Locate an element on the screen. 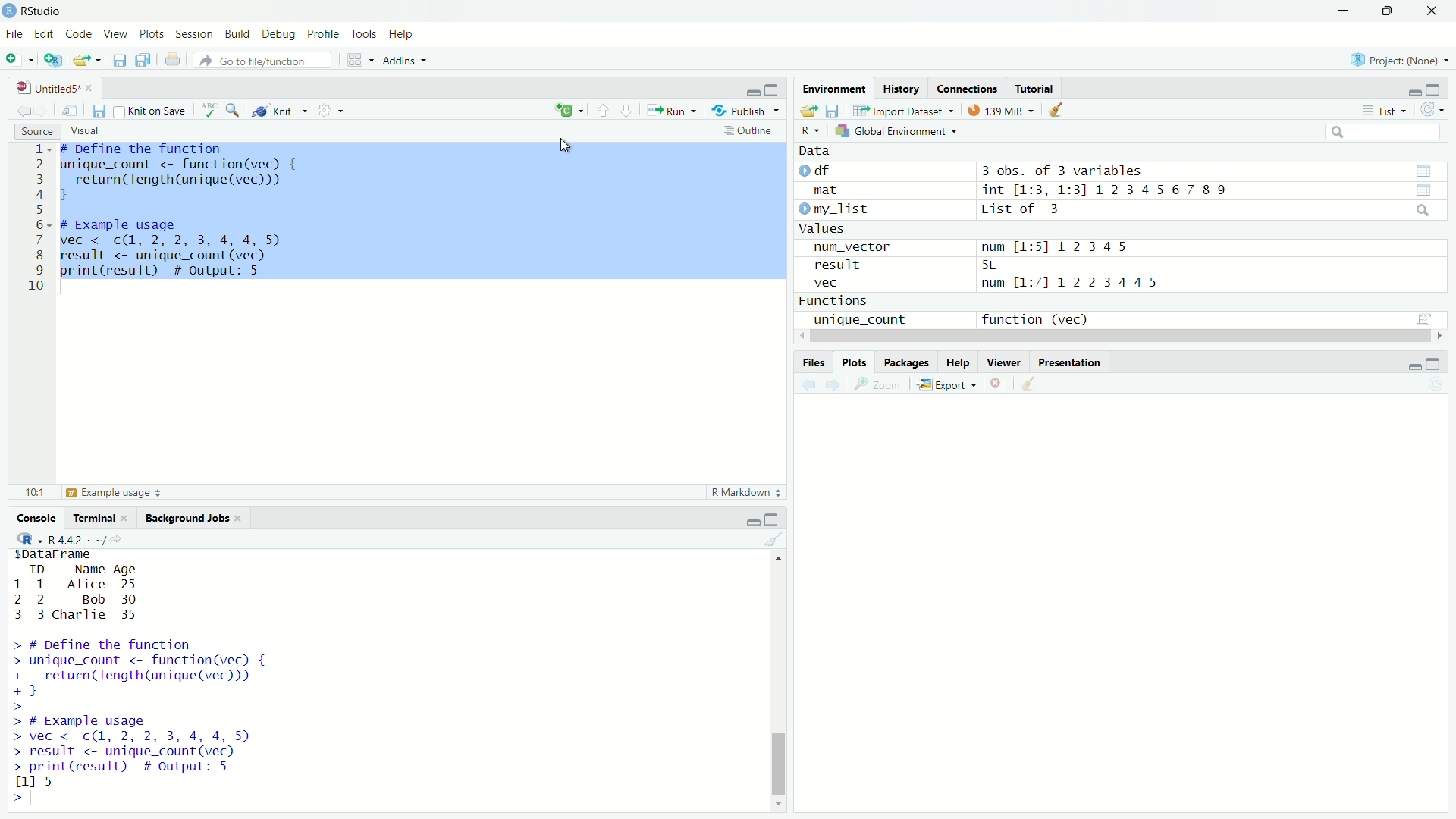 The image size is (1456, 819). print current file is located at coordinates (172, 61).